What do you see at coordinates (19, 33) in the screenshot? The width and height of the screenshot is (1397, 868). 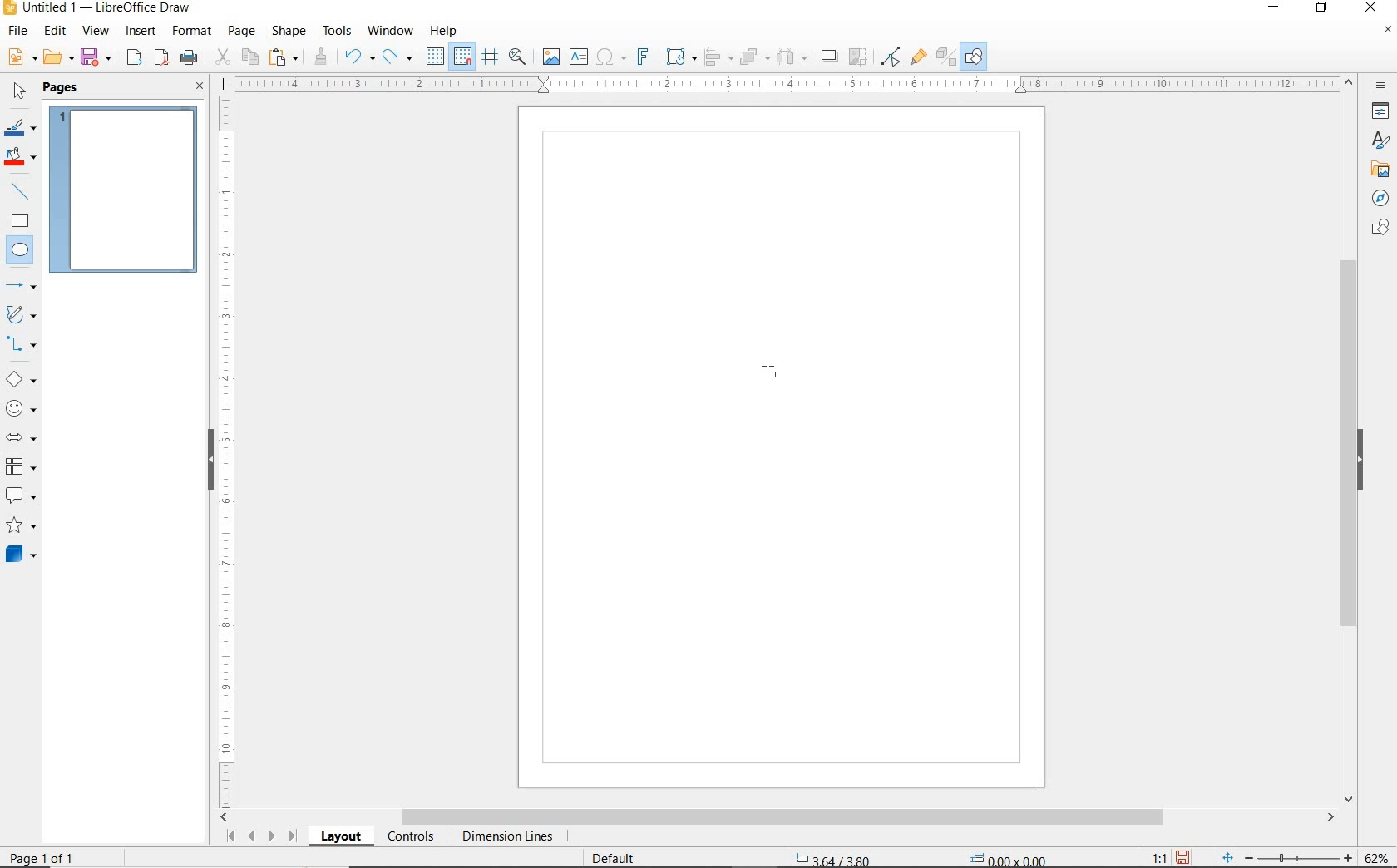 I see `FILE` at bounding box center [19, 33].